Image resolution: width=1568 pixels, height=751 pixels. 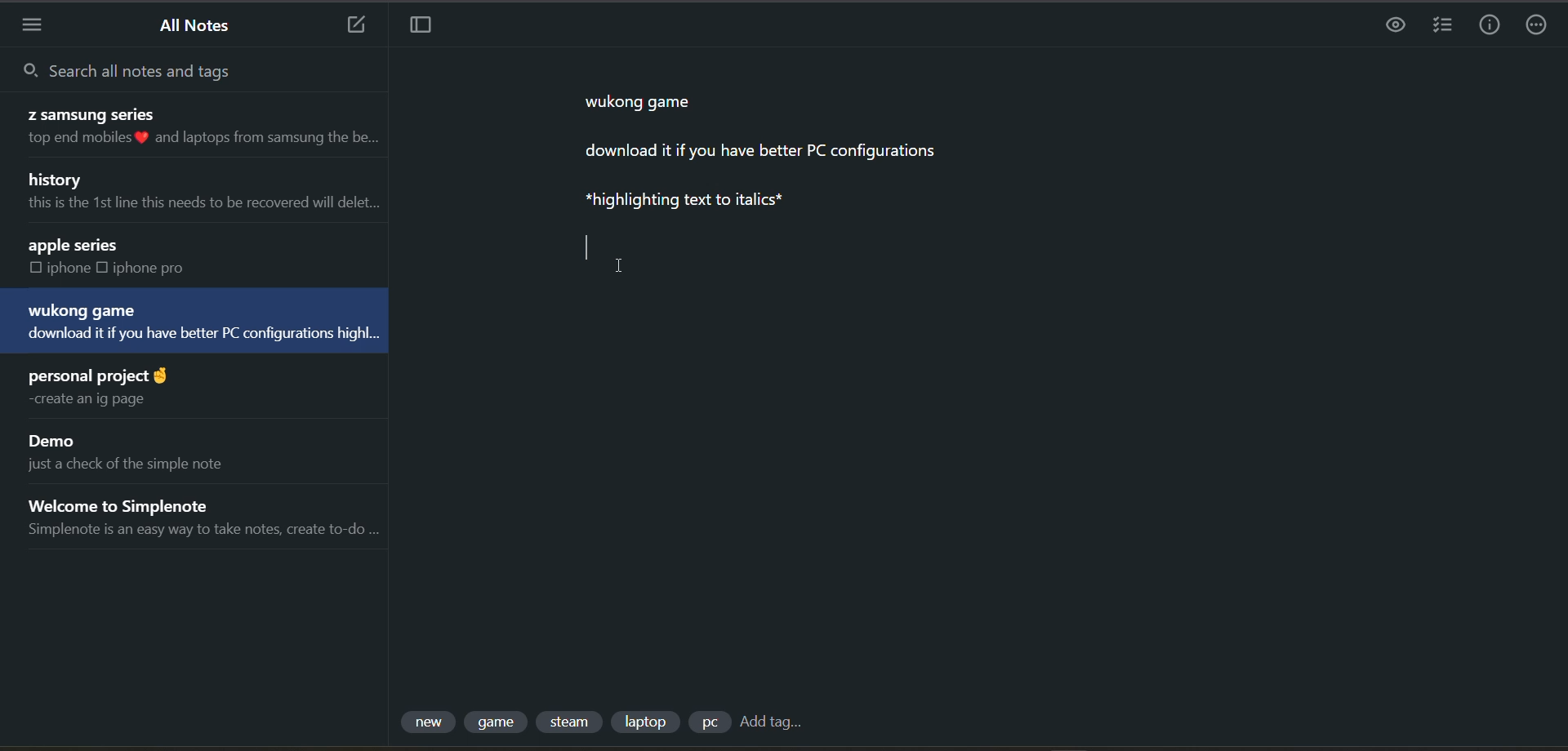 What do you see at coordinates (651, 720) in the screenshot?
I see `tag 4` at bounding box center [651, 720].